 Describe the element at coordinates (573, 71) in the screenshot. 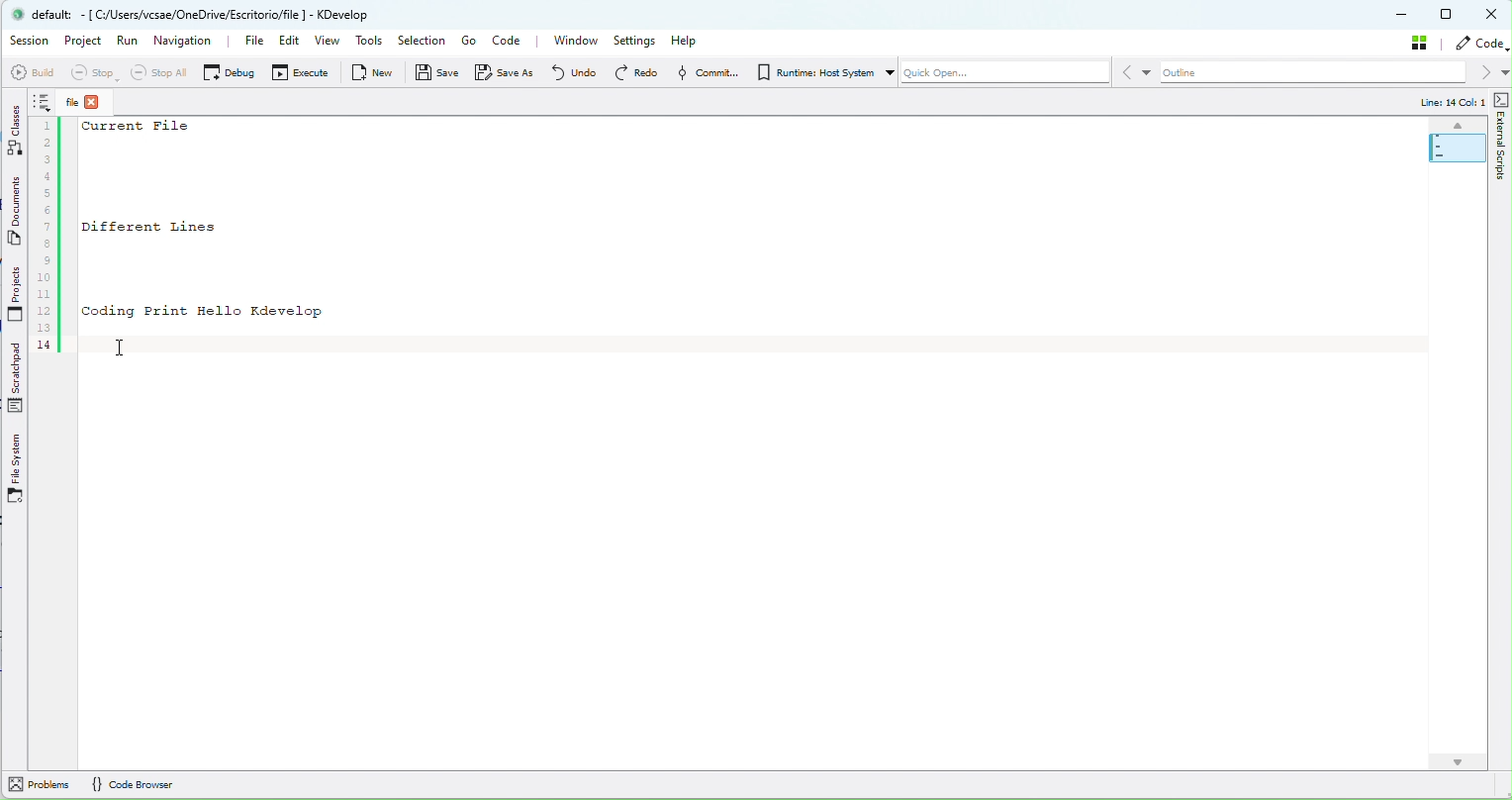

I see `Undo` at that location.